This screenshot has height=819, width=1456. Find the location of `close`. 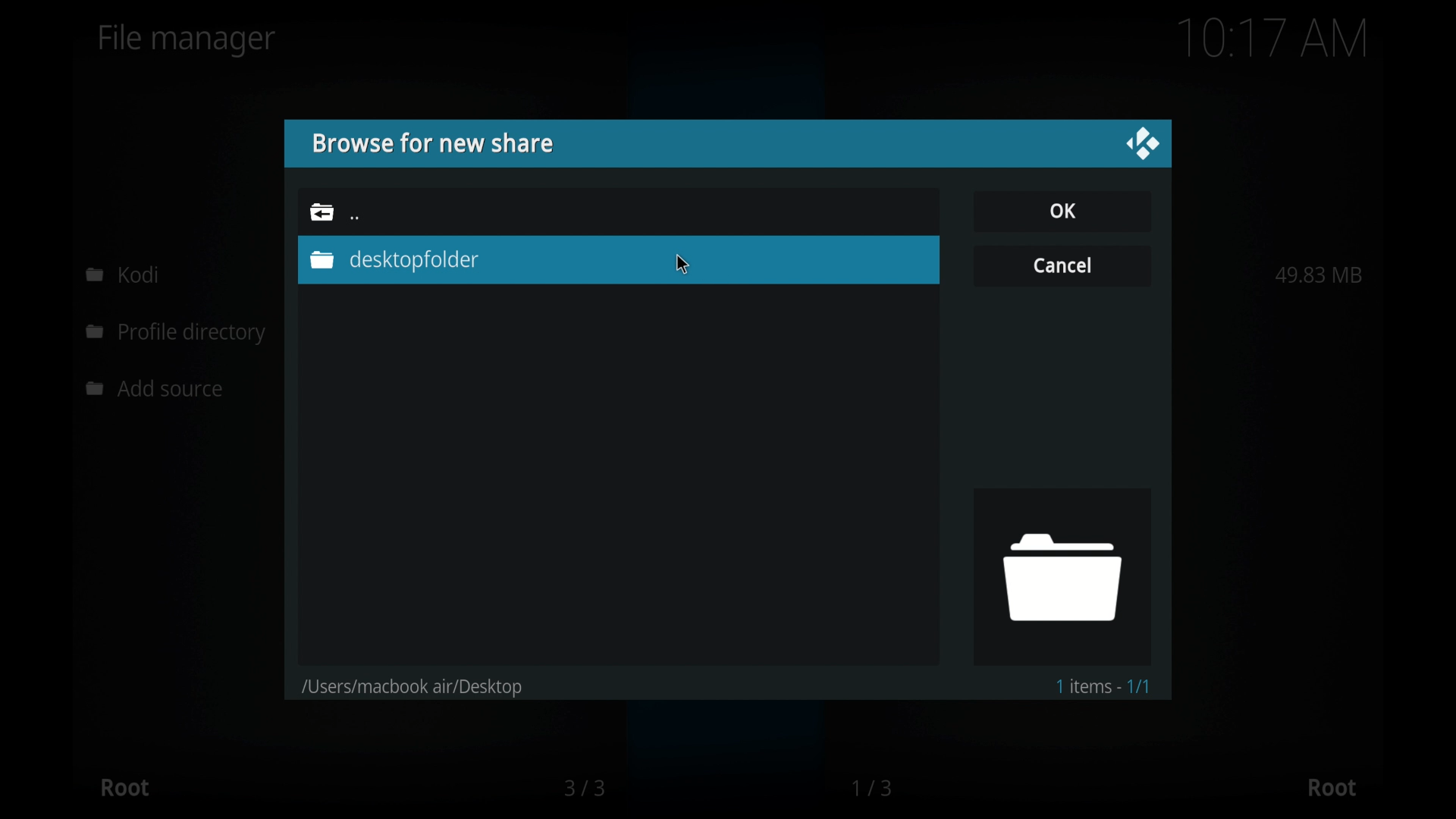

close is located at coordinates (1142, 144).